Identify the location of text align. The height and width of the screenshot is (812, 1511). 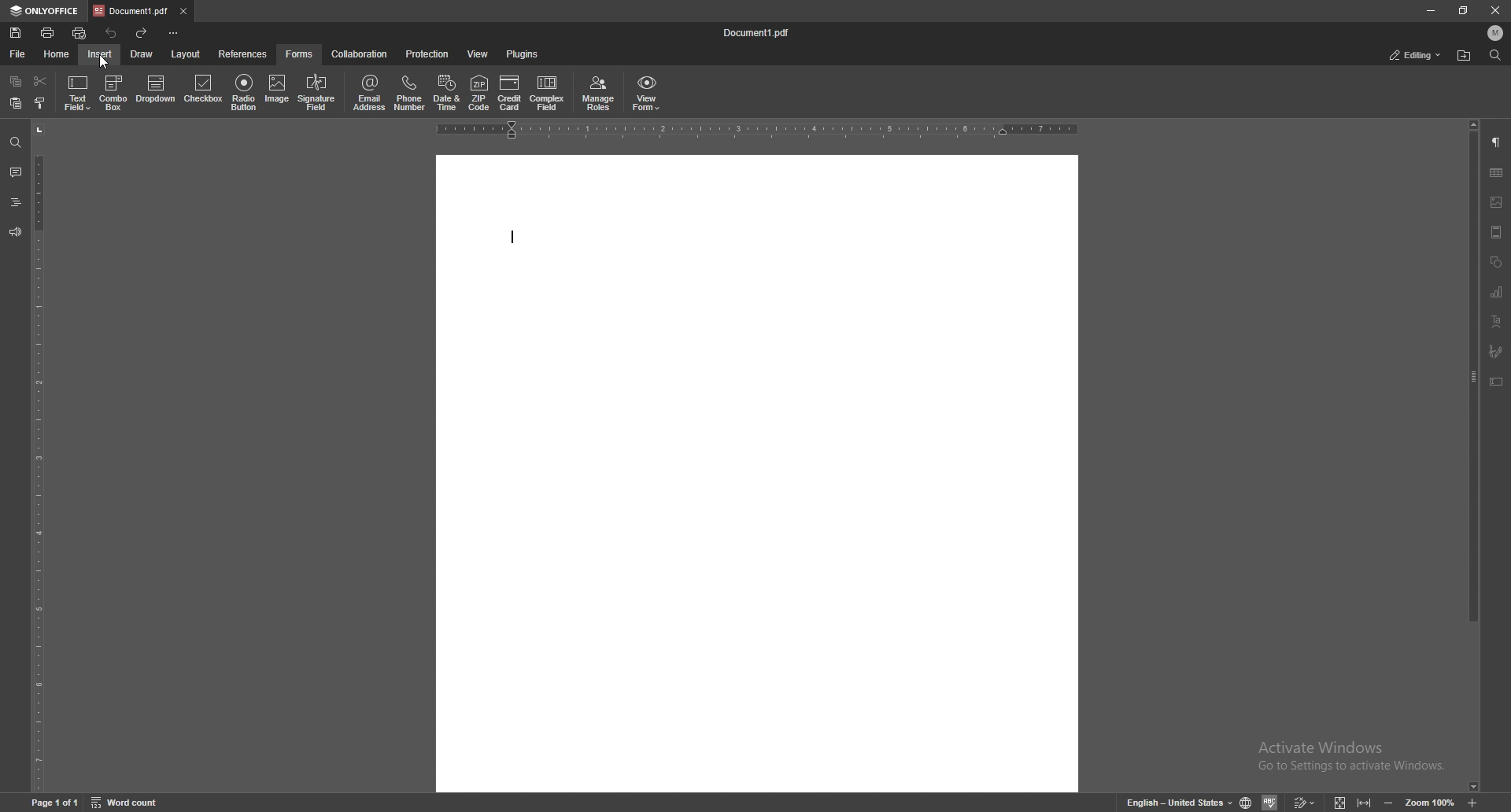
(1498, 321).